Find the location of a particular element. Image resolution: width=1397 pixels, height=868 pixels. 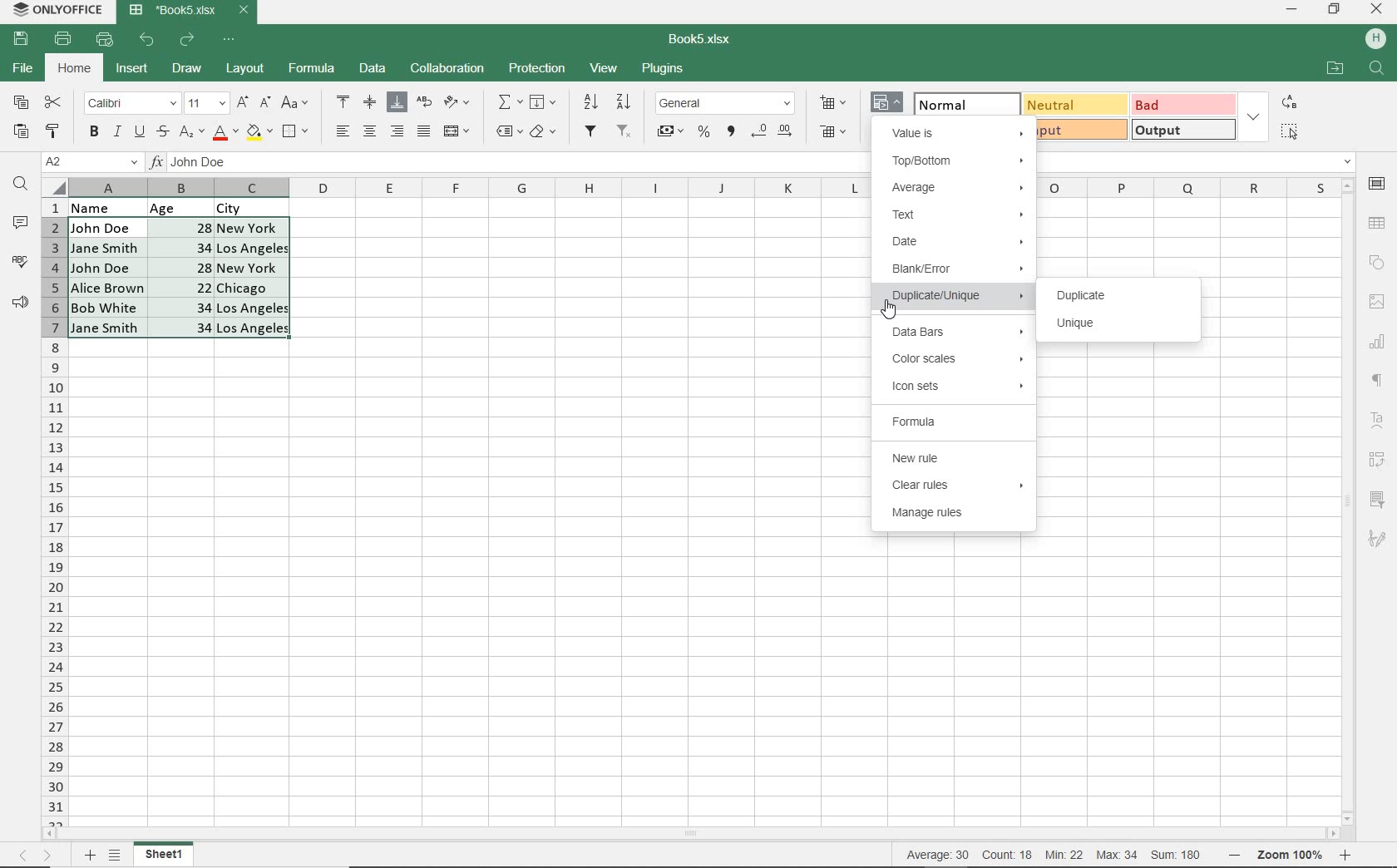

PRINT is located at coordinates (63, 38).